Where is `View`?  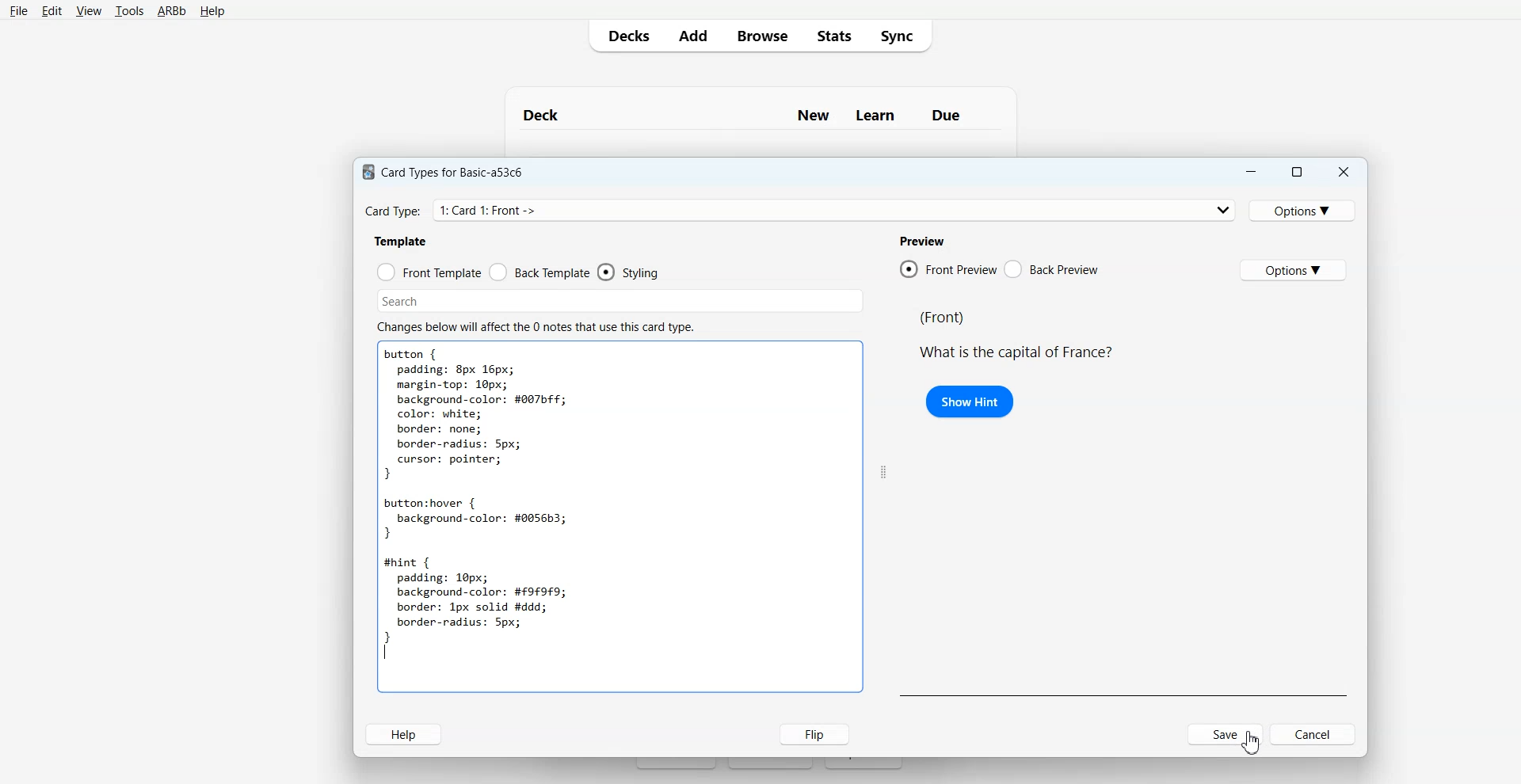 View is located at coordinates (89, 11).